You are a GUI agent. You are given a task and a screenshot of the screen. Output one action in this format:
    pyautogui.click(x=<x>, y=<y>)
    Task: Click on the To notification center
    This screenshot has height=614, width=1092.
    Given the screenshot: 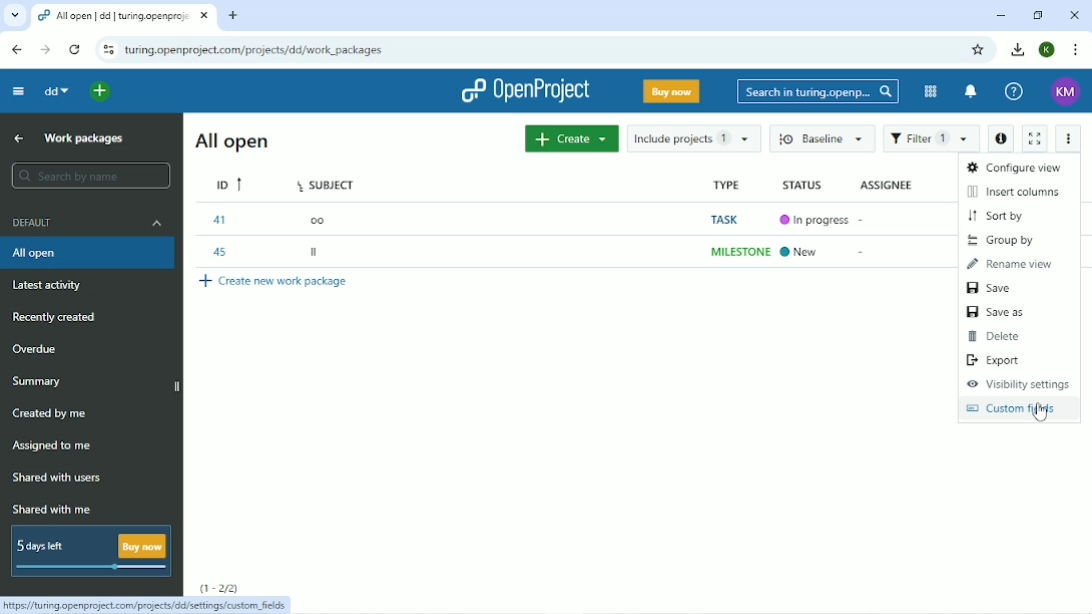 What is the action you would take?
    pyautogui.click(x=971, y=91)
    